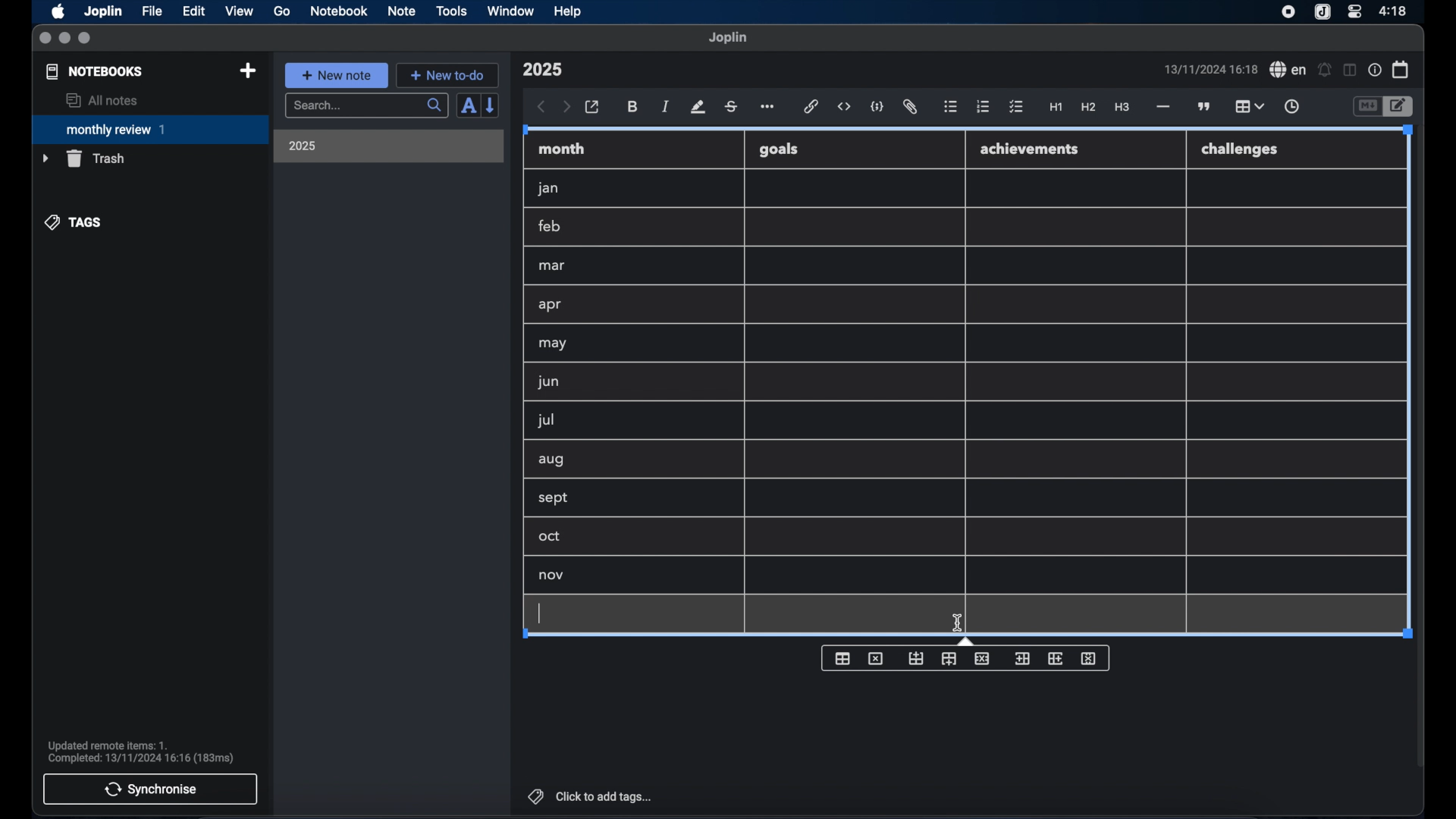 The width and height of the screenshot is (1456, 819). Describe the element at coordinates (553, 266) in the screenshot. I see `mar` at that location.